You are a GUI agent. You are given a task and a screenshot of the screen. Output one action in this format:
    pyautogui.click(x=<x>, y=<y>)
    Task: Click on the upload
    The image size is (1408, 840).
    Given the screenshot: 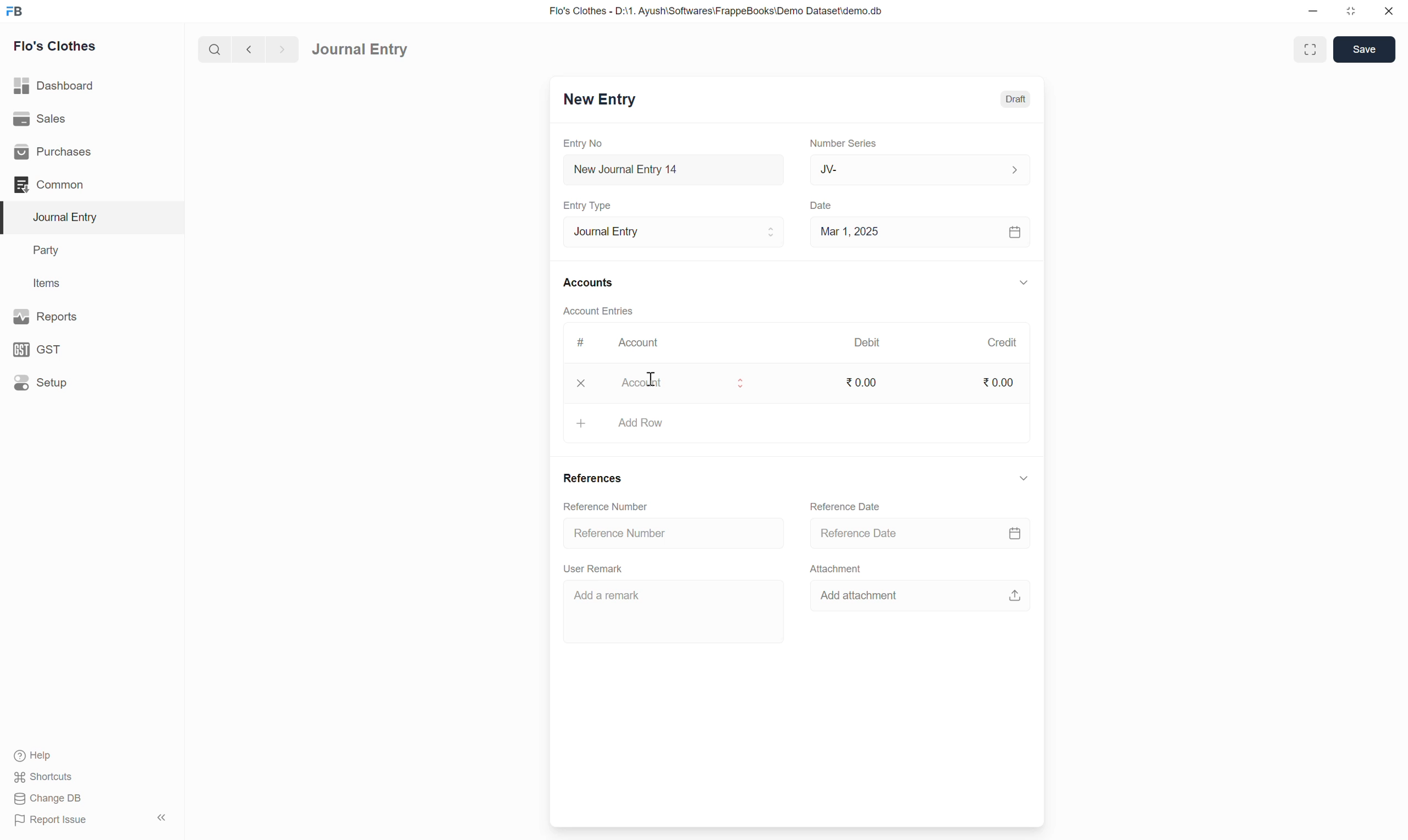 What is the action you would take?
    pyautogui.click(x=1016, y=596)
    